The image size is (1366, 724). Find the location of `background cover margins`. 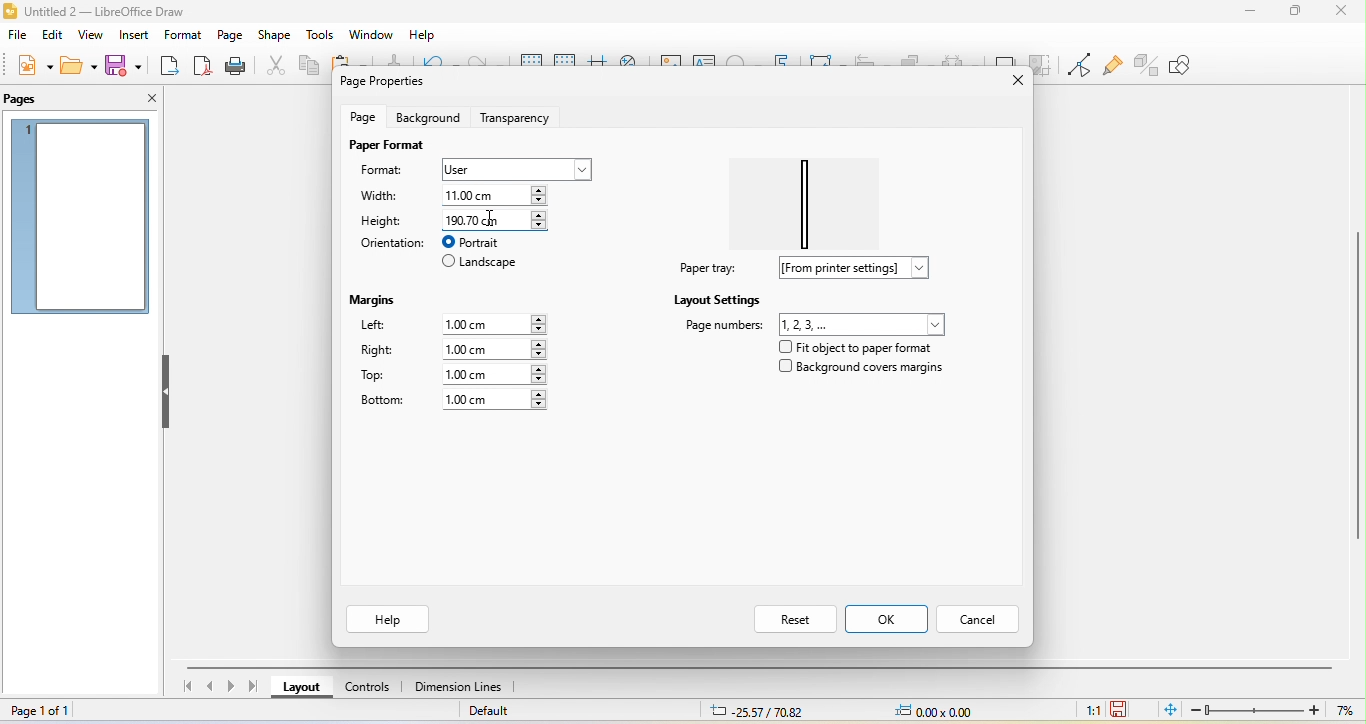

background cover margins is located at coordinates (862, 371).